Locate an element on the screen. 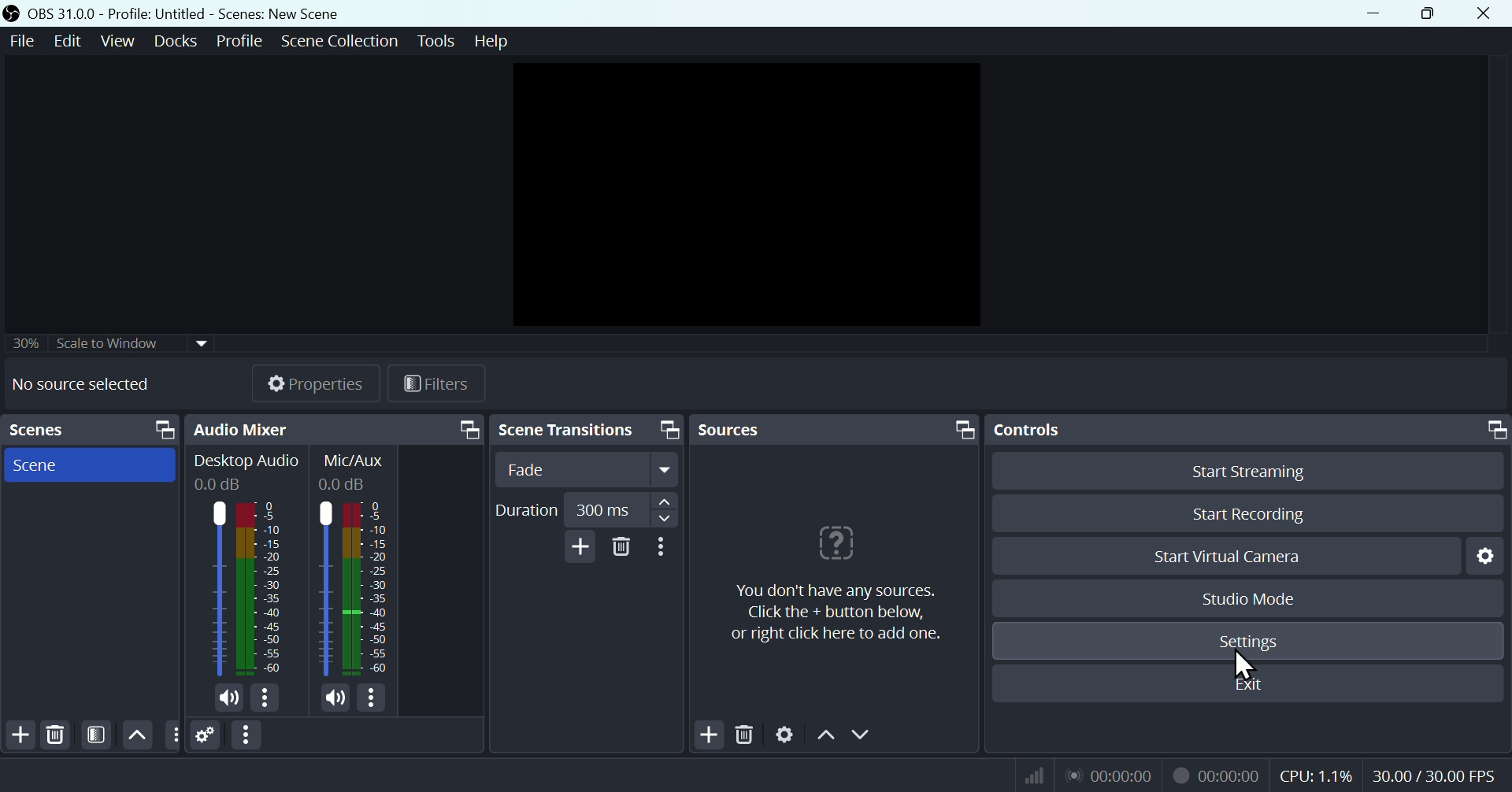 Image resolution: width=1512 pixels, height=792 pixels. Scenes is located at coordinates (90, 428).